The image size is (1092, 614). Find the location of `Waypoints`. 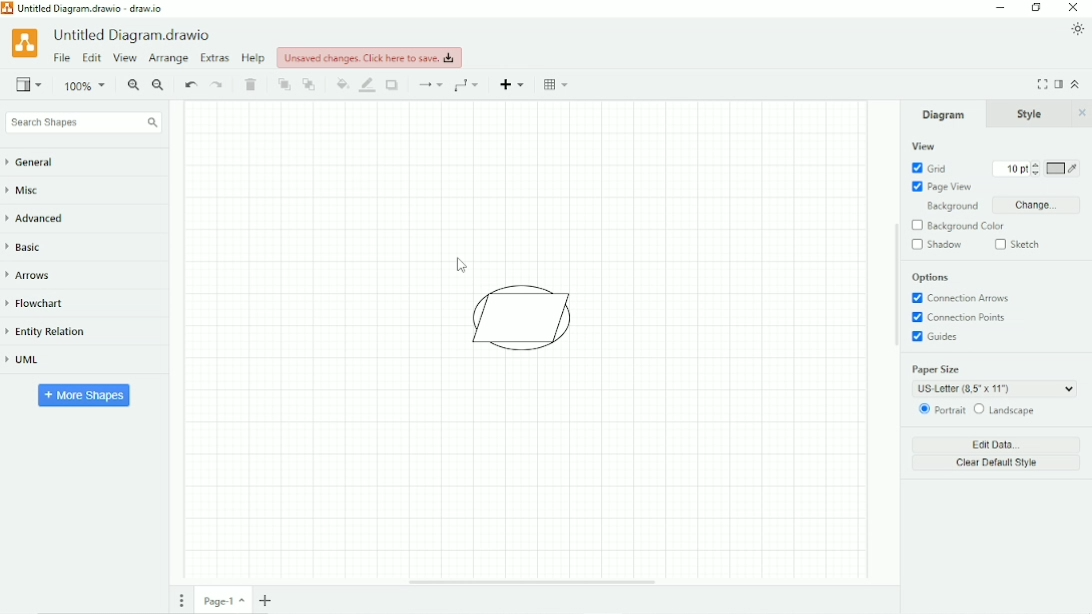

Waypoints is located at coordinates (469, 85).